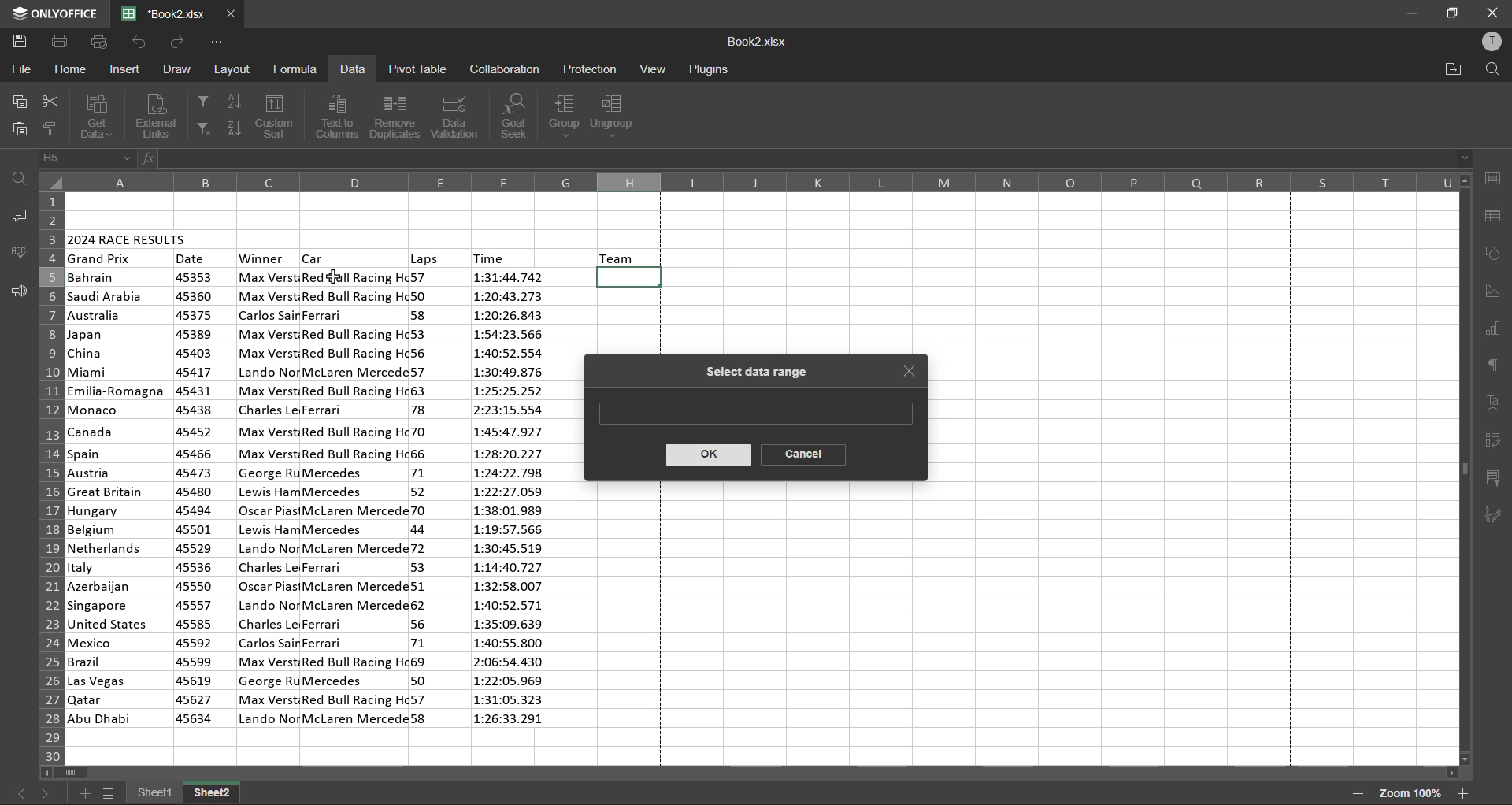 Image resolution: width=1512 pixels, height=805 pixels. What do you see at coordinates (184, 795) in the screenshot?
I see `sheet names` at bounding box center [184, 795].